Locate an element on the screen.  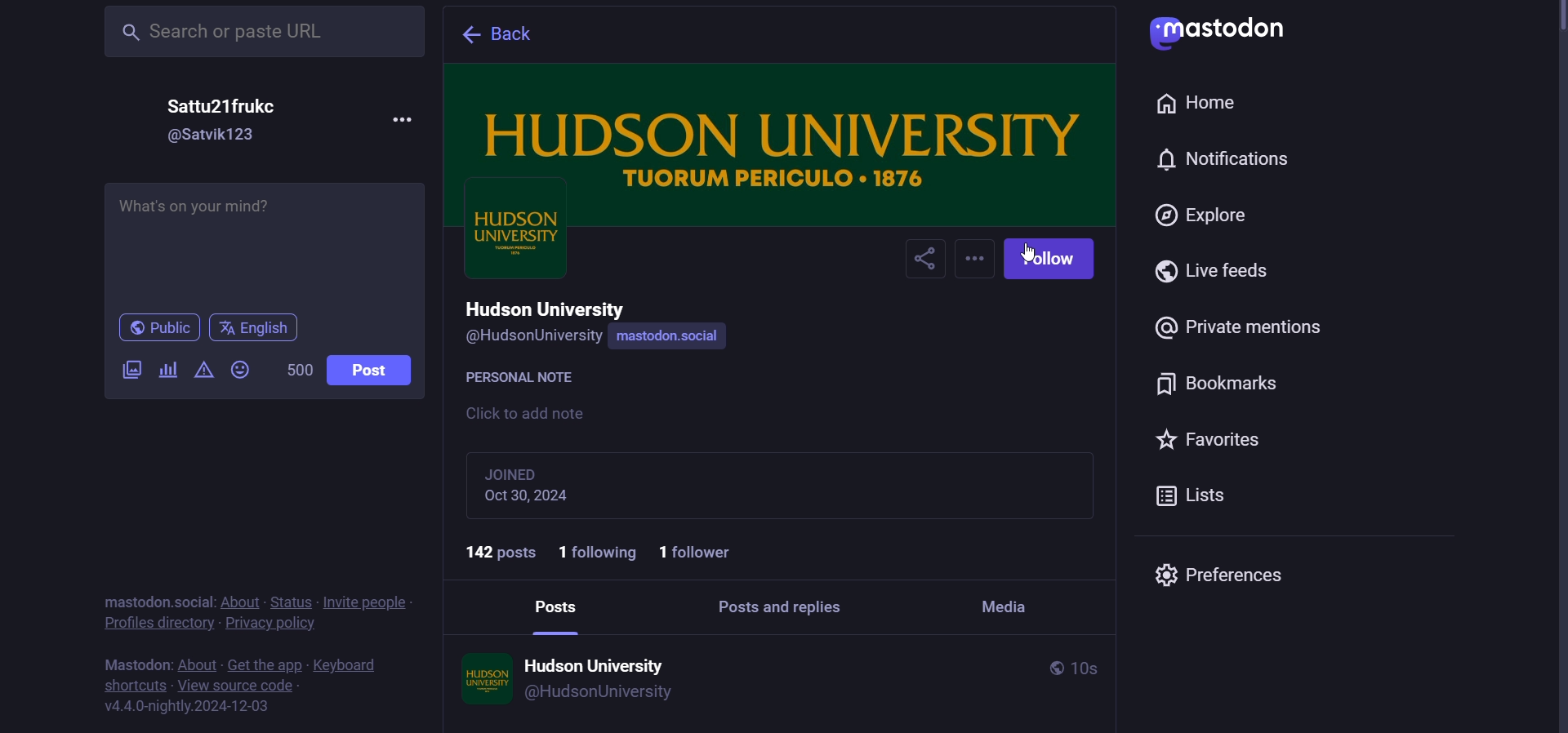
bookmark is located at coordinates (1229, 384).